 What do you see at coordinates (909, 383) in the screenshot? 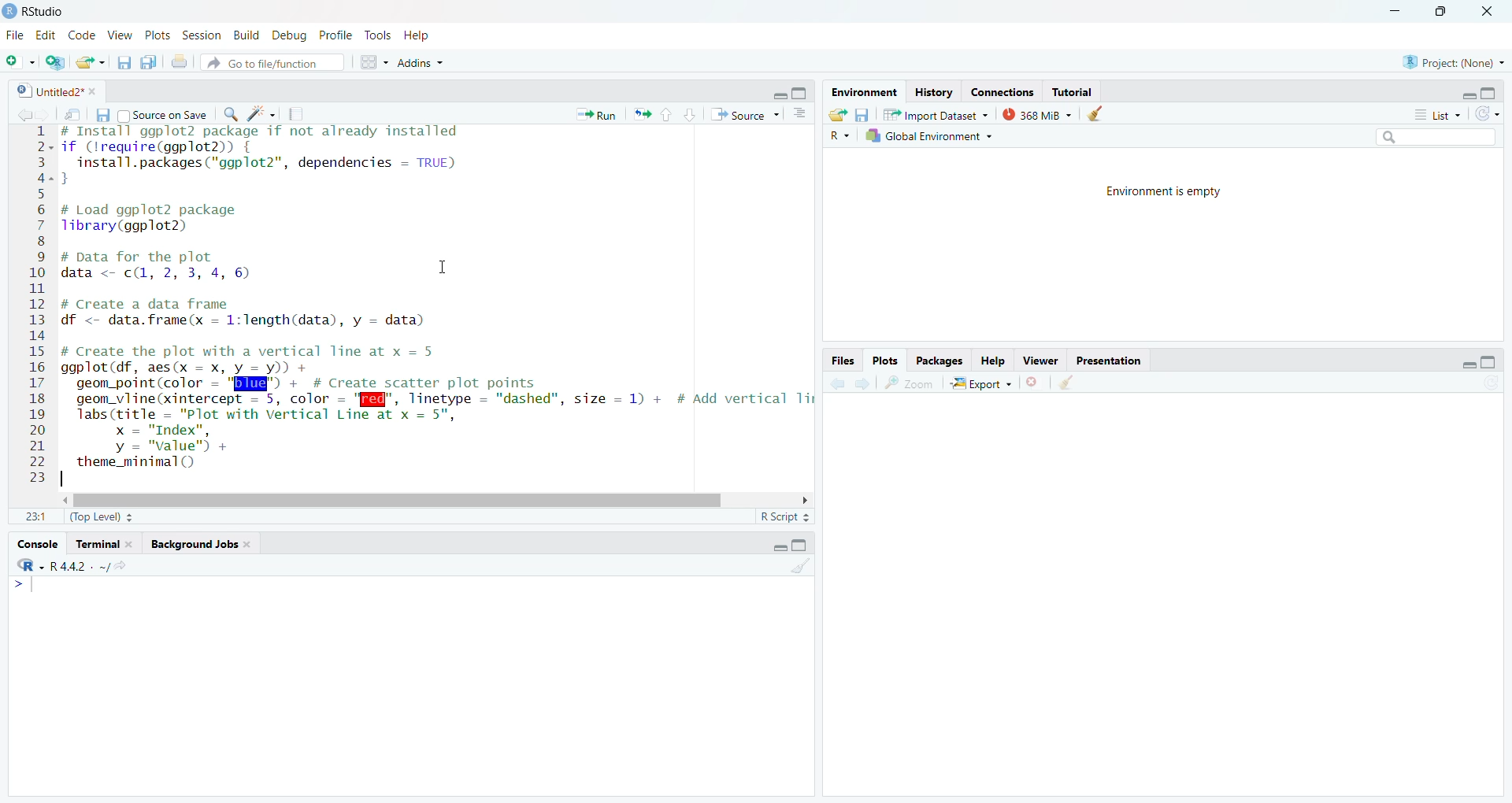
I see `zoom` at bounding box center [909, 383].